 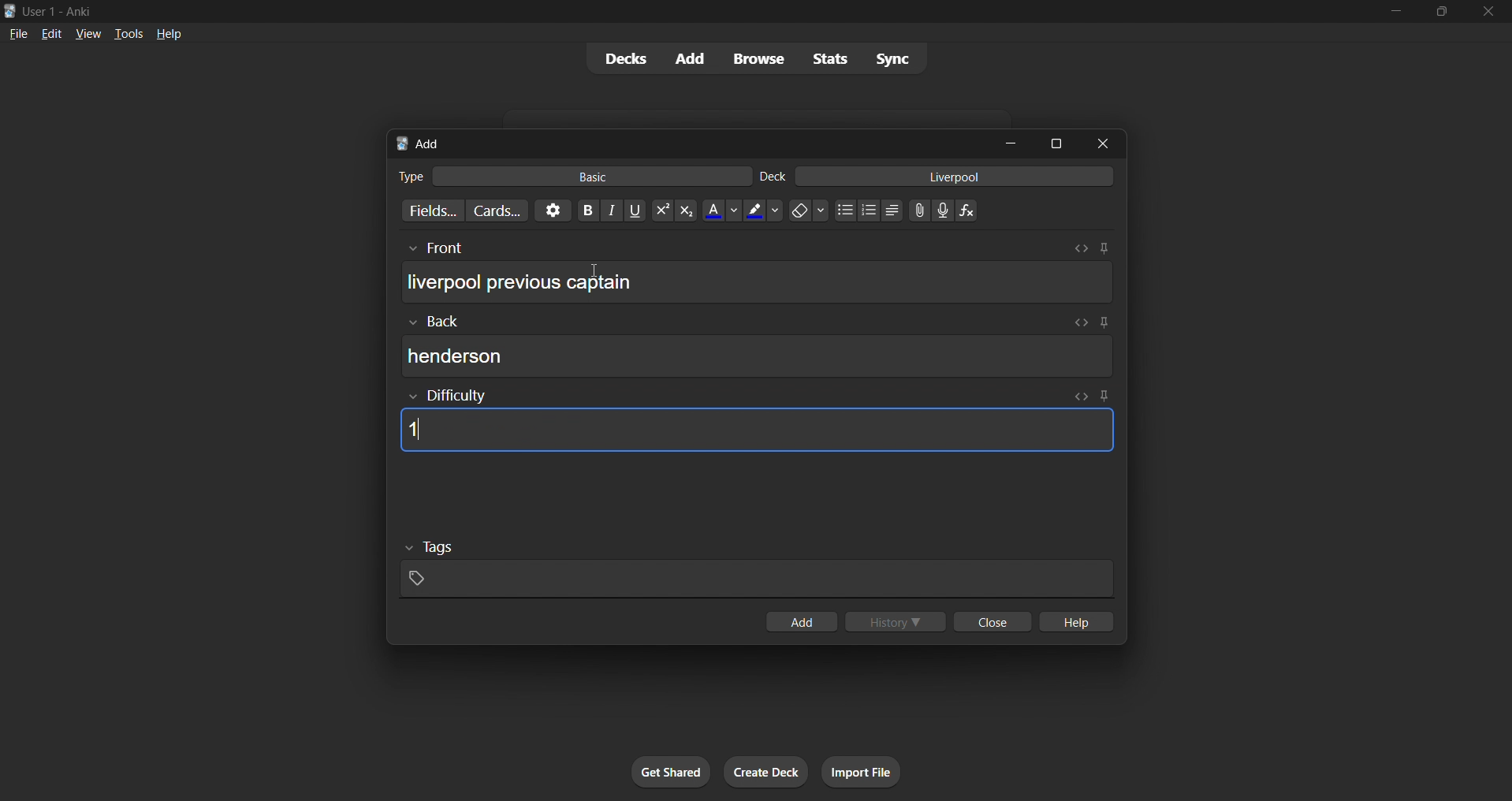 I want to click on maximize/restore, so click(x=1442, y=12).